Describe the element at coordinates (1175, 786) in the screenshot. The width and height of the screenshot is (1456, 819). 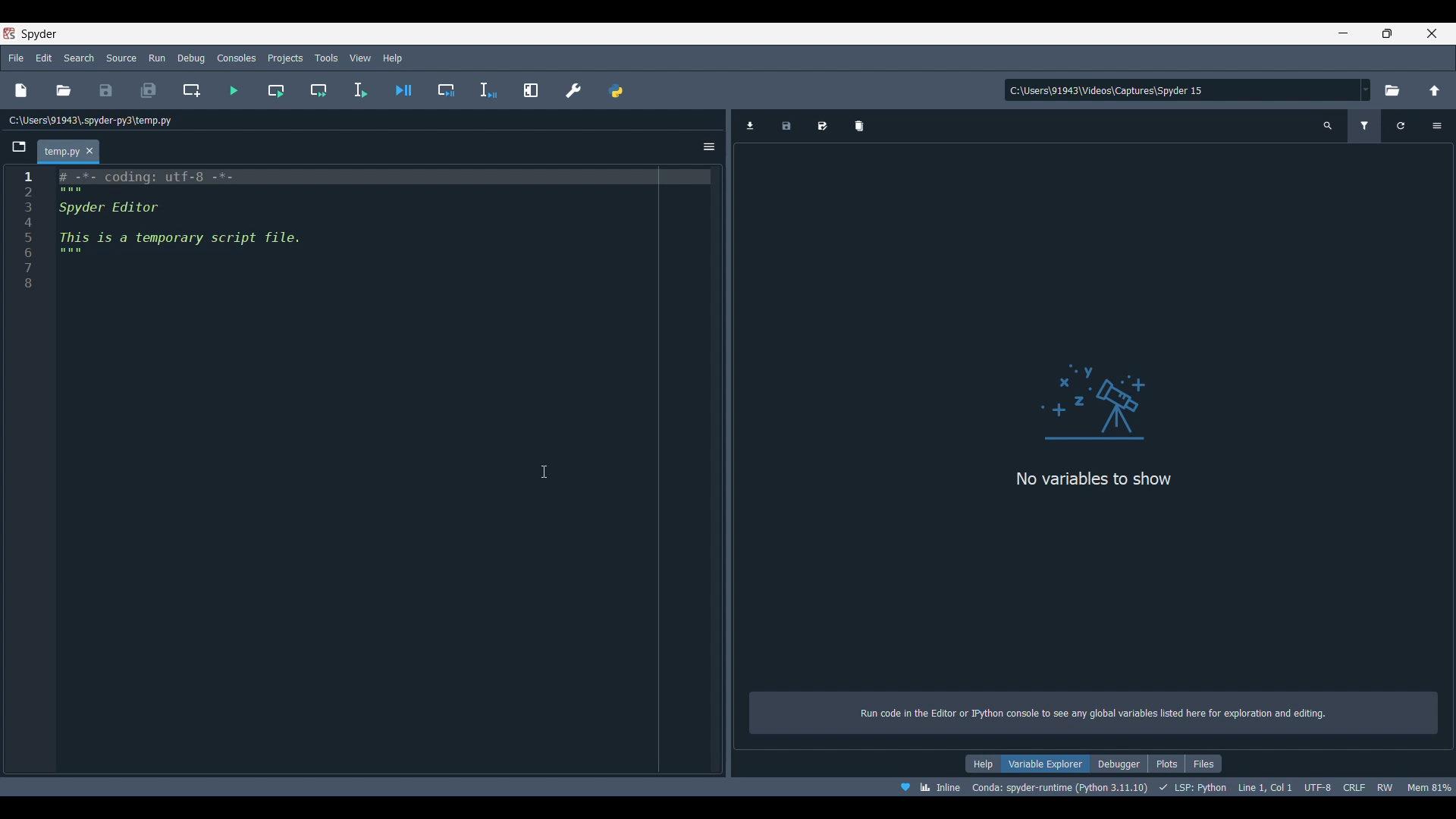
I see `Code details` at that location.